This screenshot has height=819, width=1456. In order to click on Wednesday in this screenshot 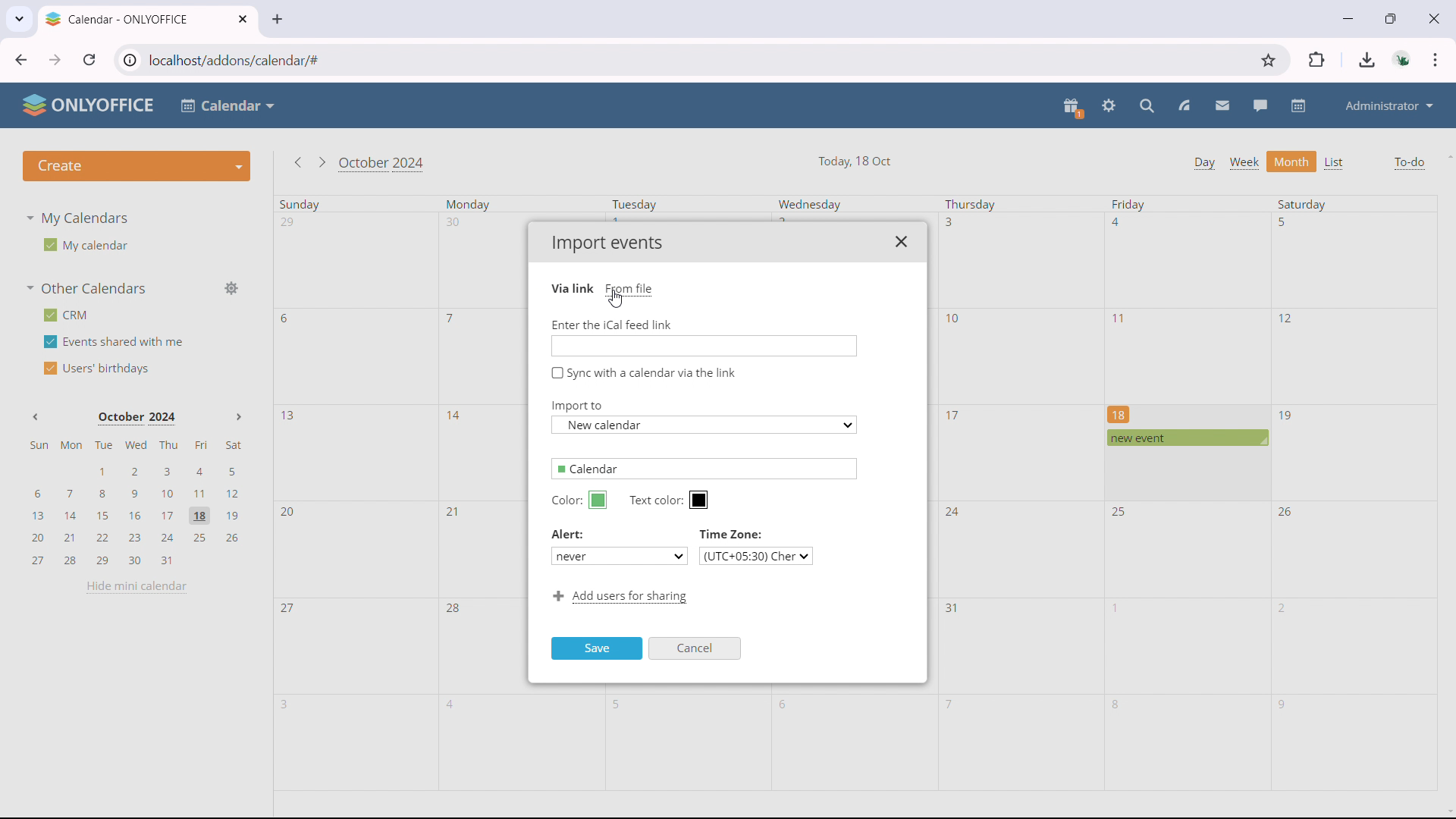, I will do `click(810, 205)`.